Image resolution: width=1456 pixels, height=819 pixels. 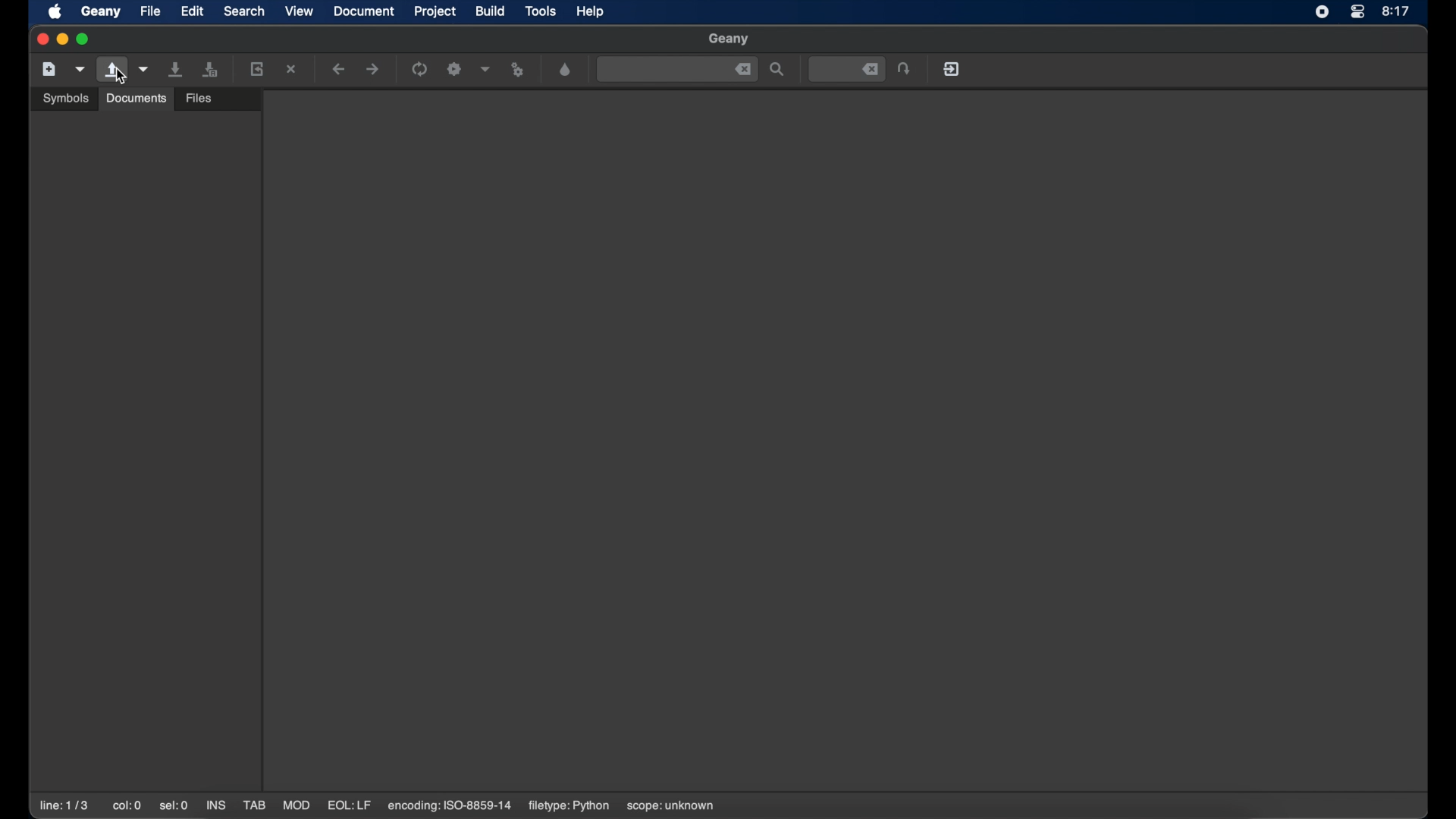 What do you see at coordinates (673, 807) in the screenshot?
I see `scope: unknown` at bounding box center [673, 807].